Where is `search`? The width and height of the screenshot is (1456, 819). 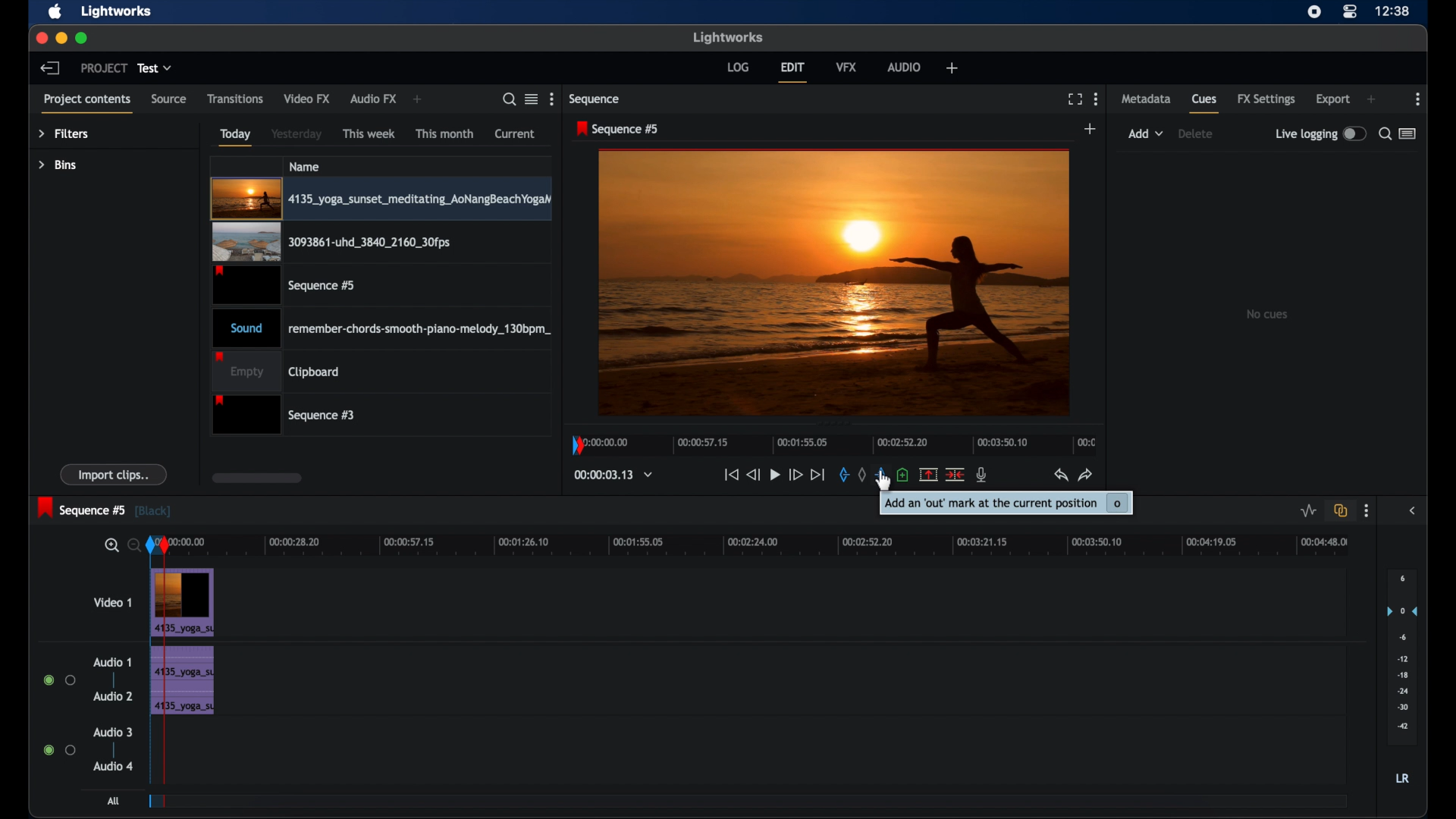 search is located at coordinates (508, 99).